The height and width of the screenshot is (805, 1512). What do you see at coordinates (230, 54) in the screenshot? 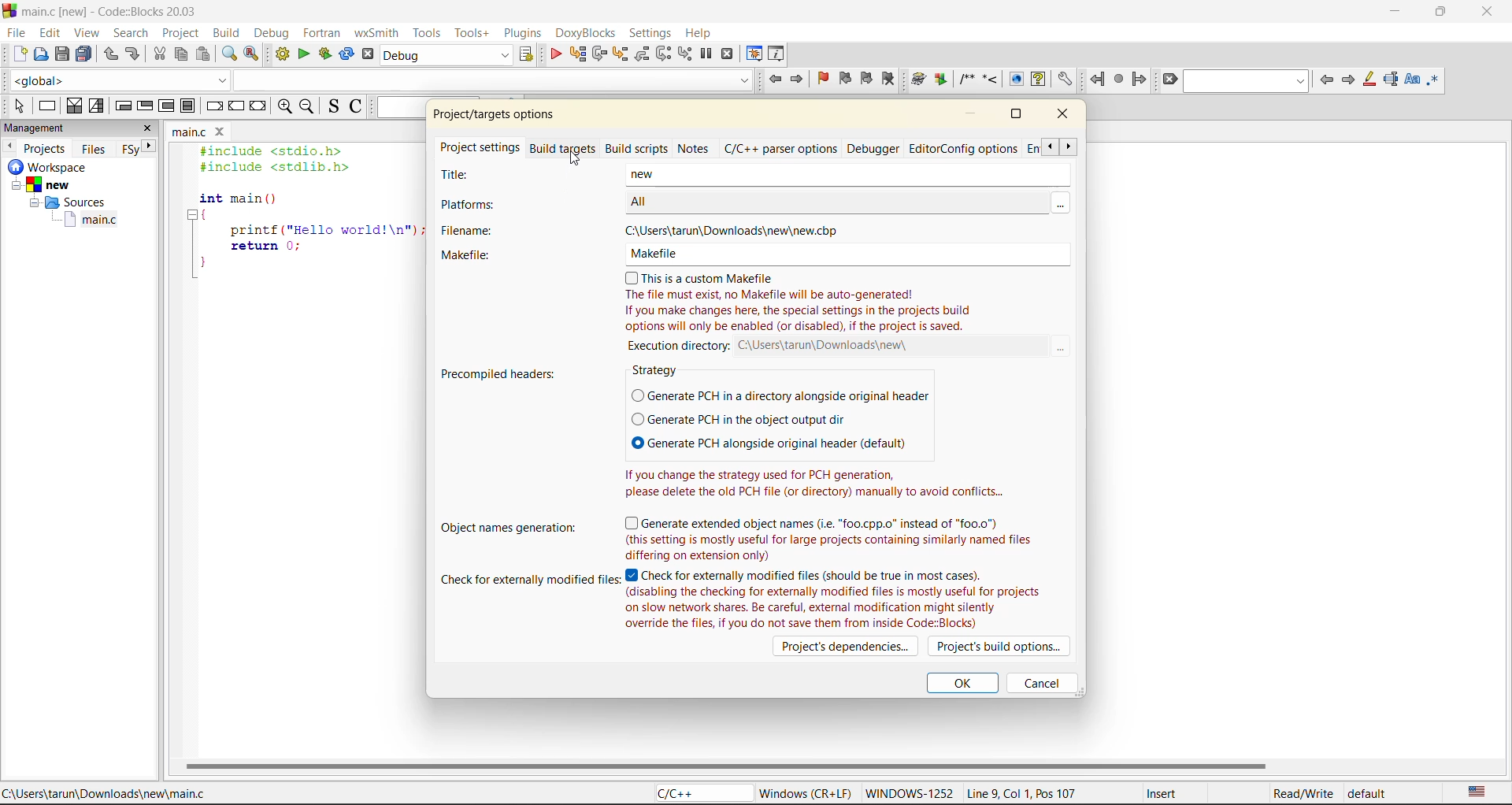
I see `find` at bounding box center [230, 54].